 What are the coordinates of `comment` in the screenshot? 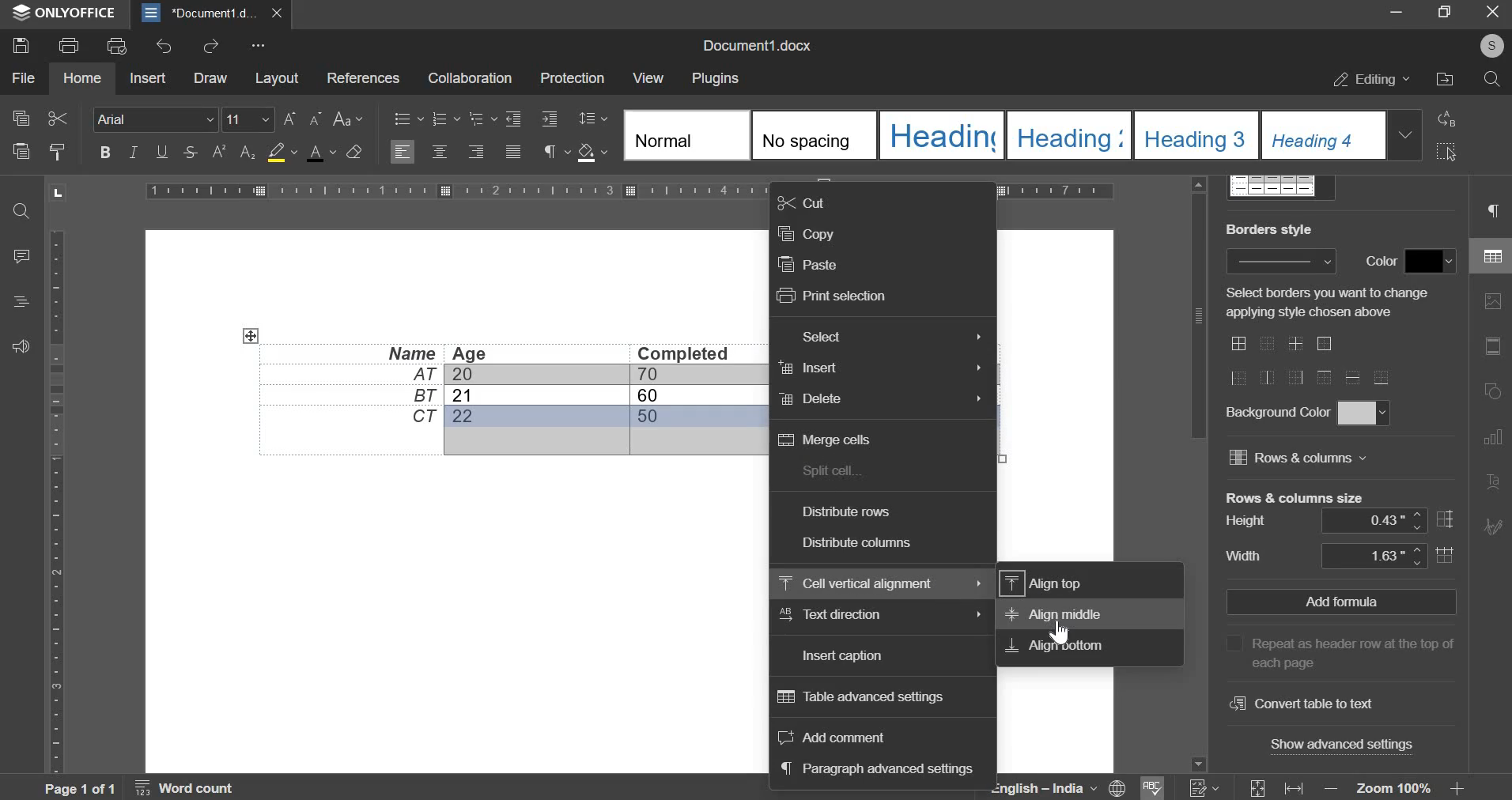 It's located at (23, 253).